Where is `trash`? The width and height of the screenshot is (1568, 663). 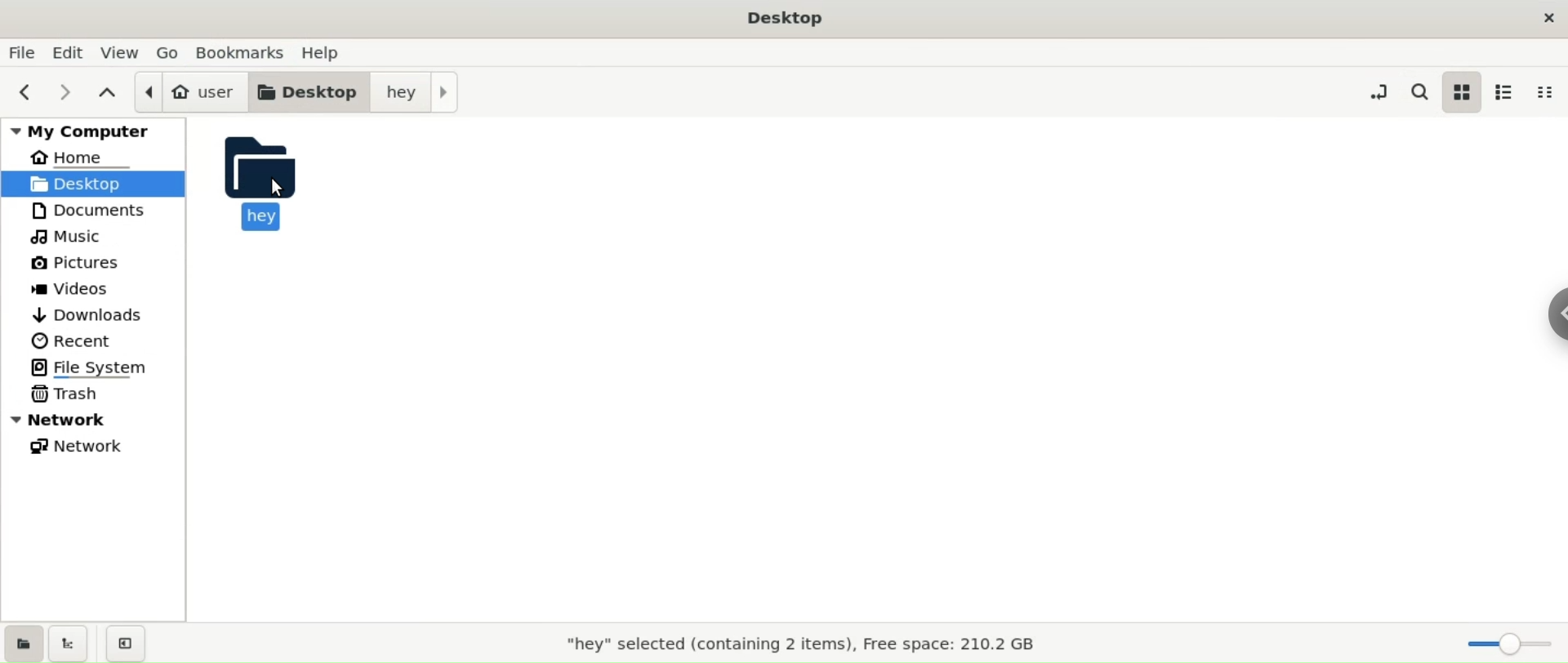 trash is located at coordinates (69, 395).